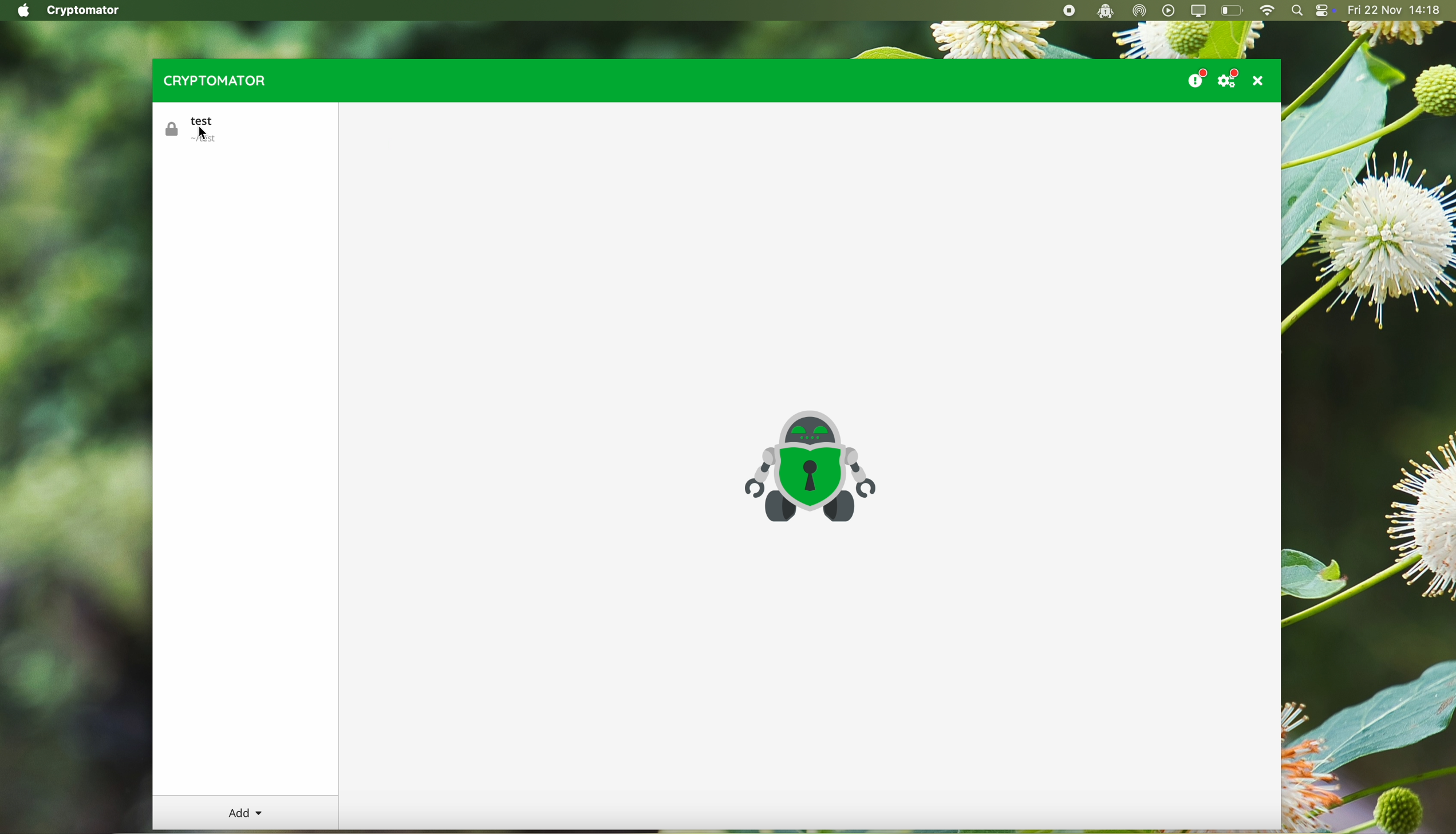  Describe the element at coordinates (1195, 76) in the screenshot. I see `donate` at that location.